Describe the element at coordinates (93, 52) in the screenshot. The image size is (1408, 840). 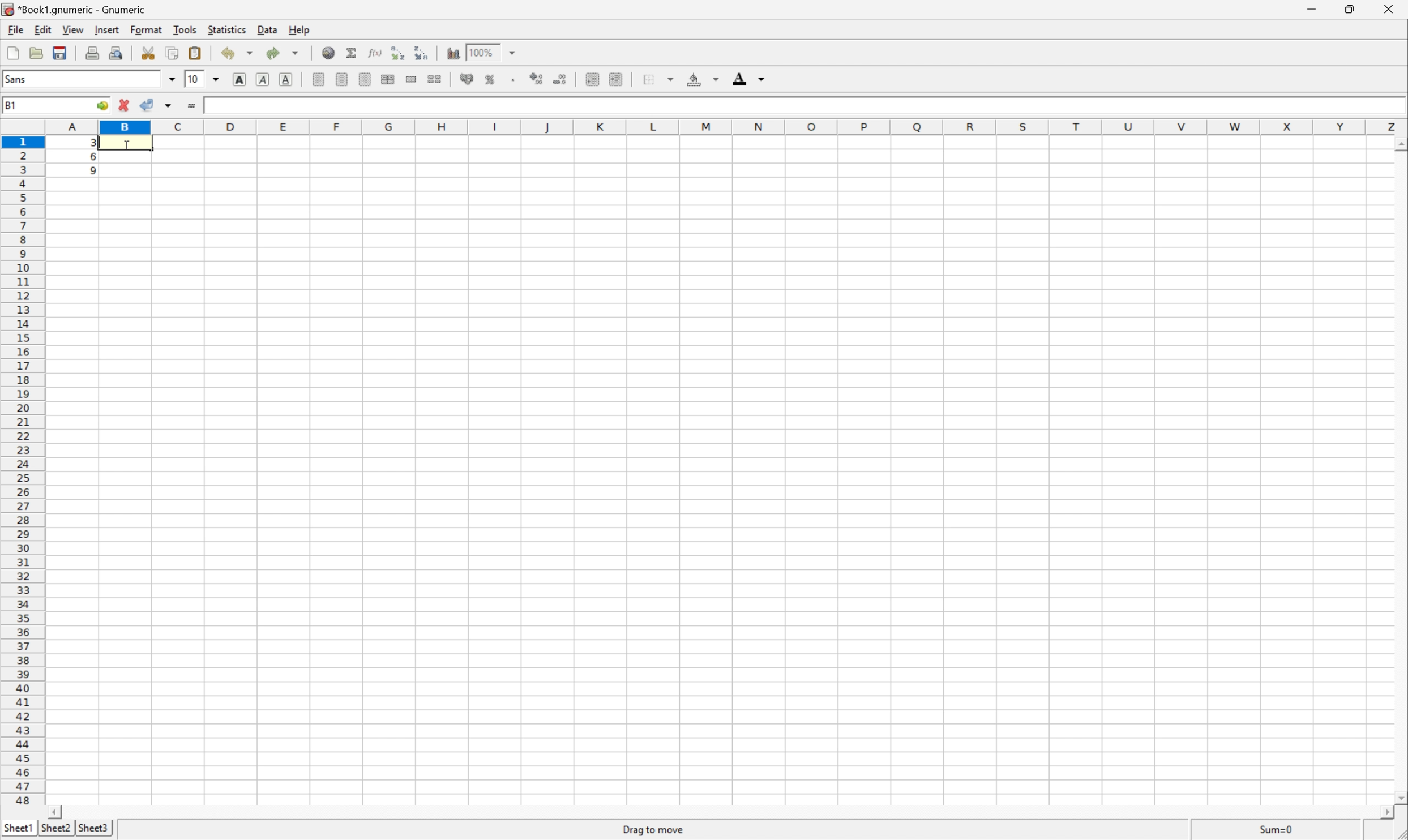
I see `Print current file` at that location.